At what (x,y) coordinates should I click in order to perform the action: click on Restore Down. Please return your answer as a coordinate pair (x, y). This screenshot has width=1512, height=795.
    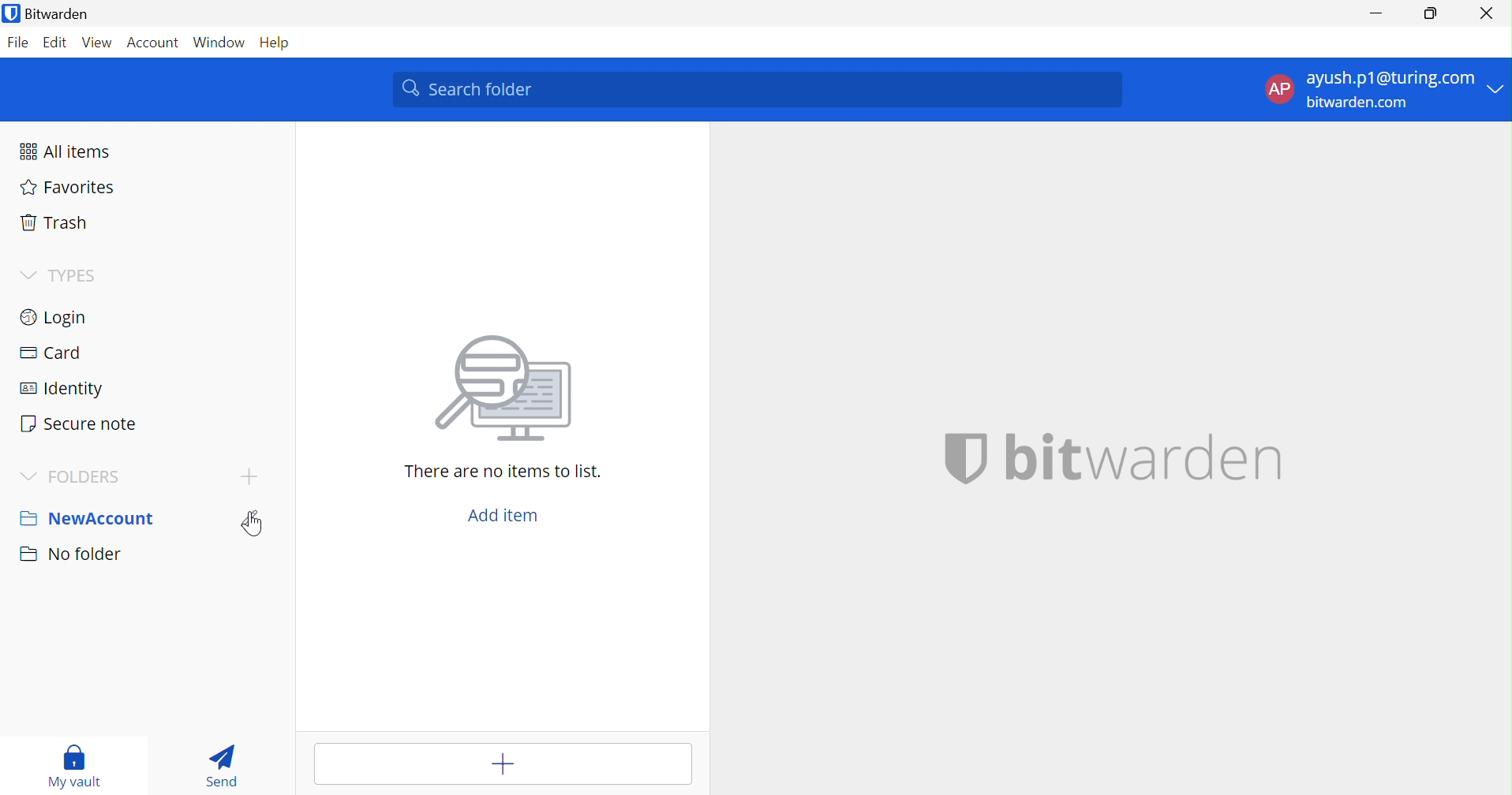
    Looking at the image, I should click on (1430, 17).